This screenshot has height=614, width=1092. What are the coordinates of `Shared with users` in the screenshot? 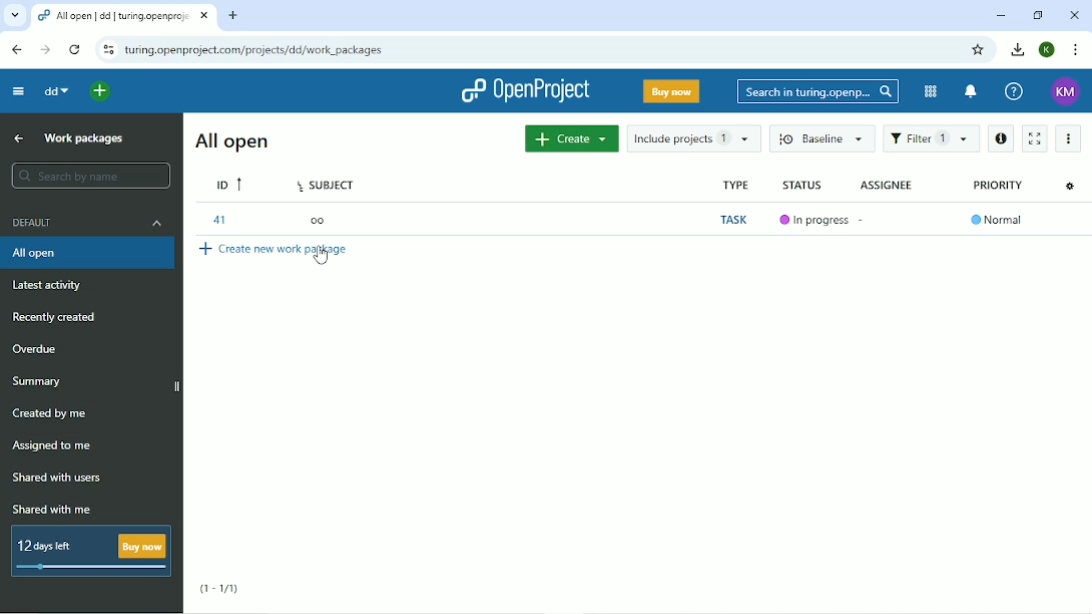 It's located at (58, 477).